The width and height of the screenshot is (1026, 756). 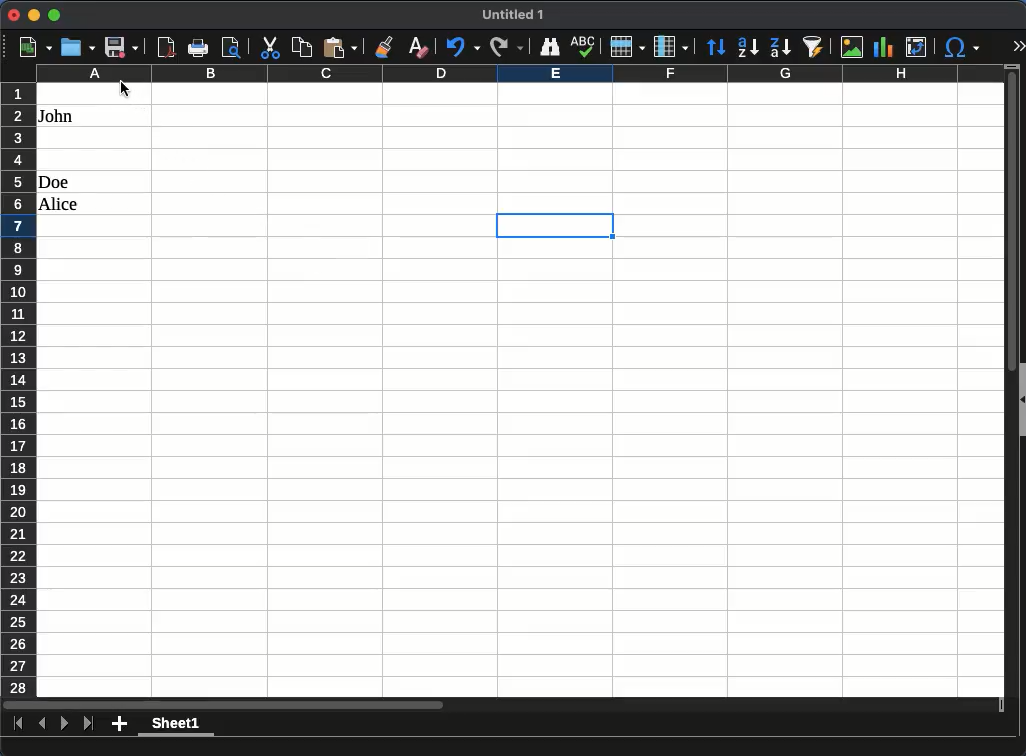 I want to click on save, so click(x=120, y=47).